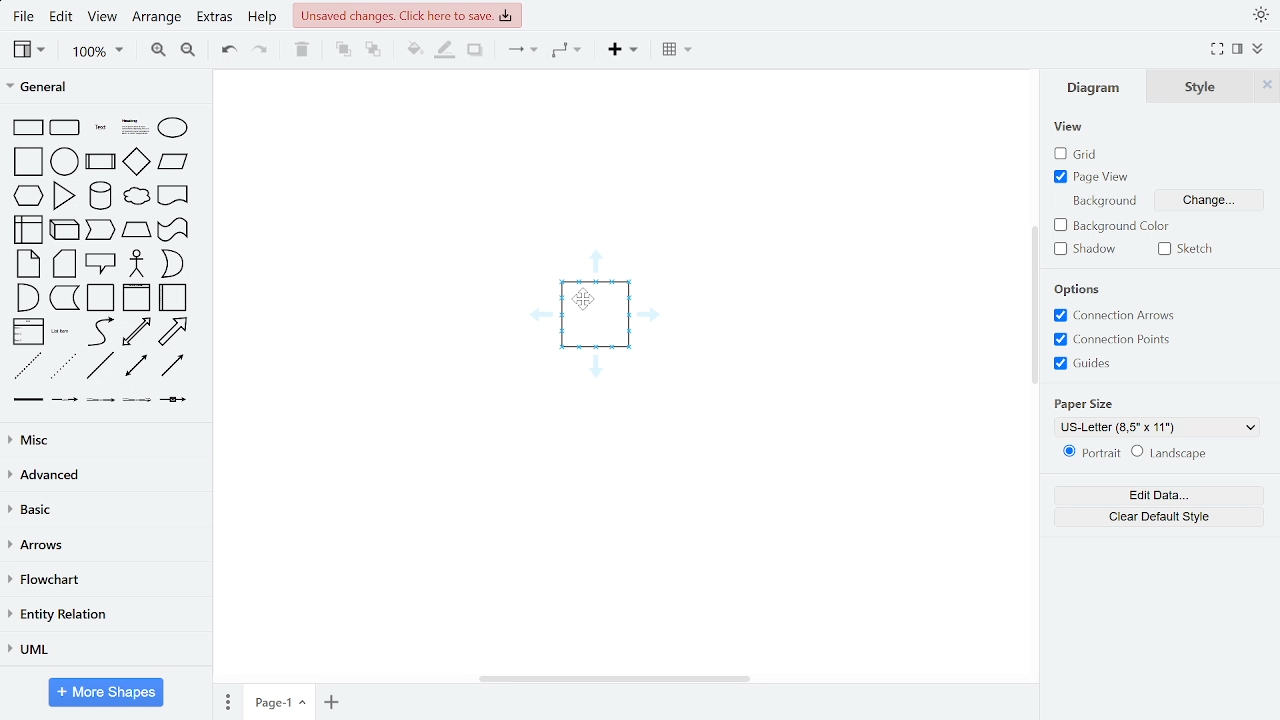 This screenshot has width=1280, height=720. I want to click on fullscreen, so click(1216, 48).